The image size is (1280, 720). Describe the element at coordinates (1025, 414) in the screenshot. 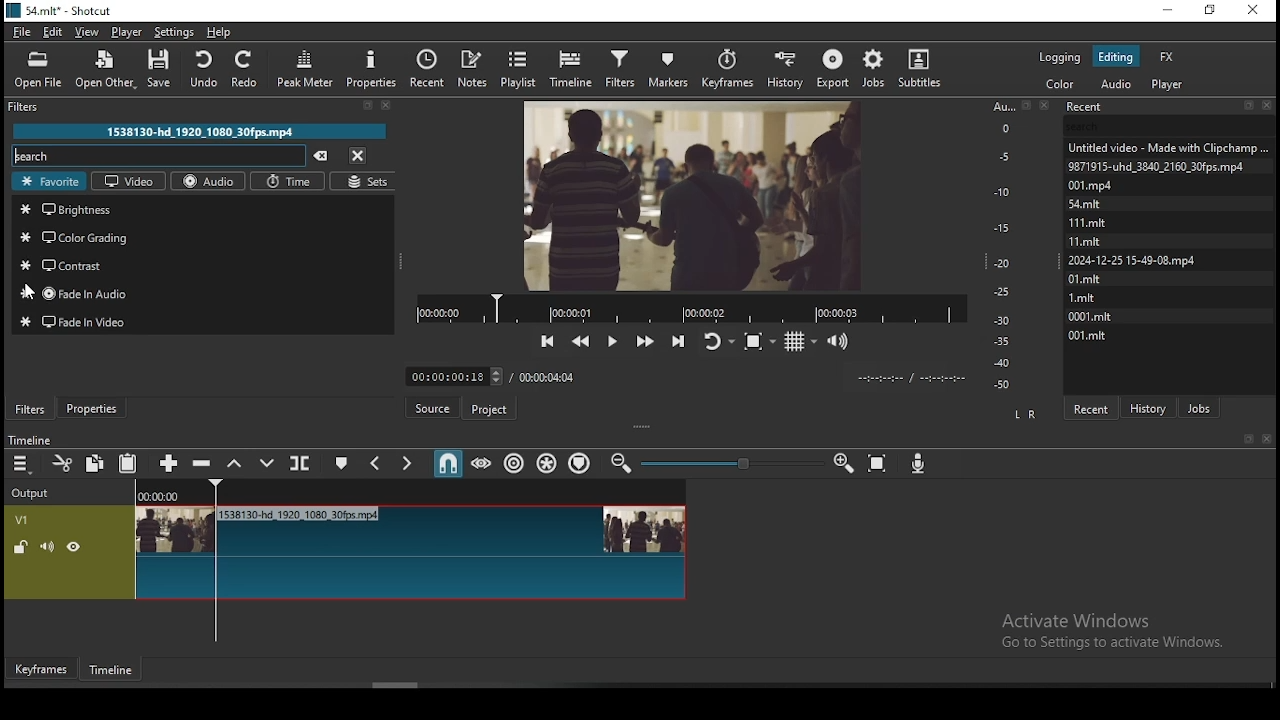

I see `L R` at that location.